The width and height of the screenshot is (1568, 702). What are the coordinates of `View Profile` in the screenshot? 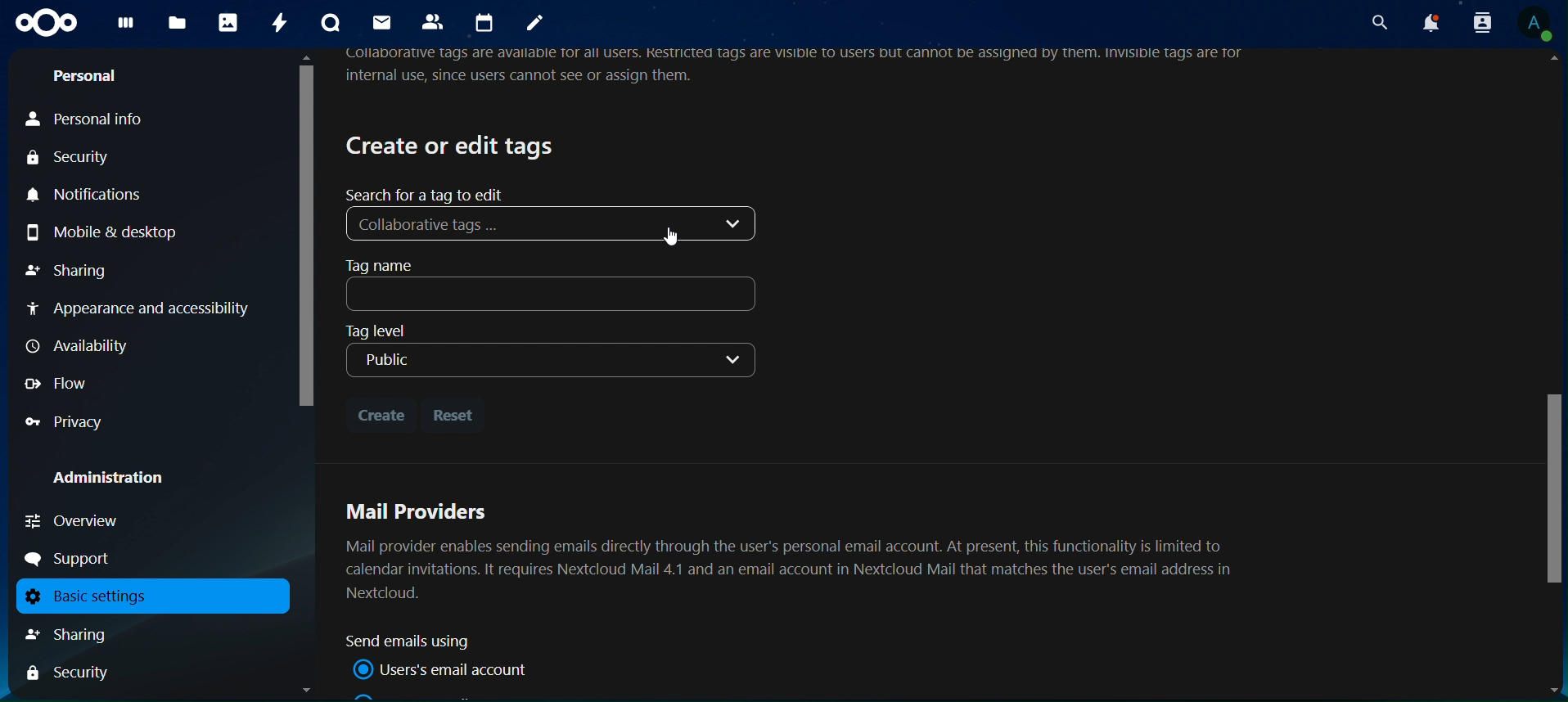 It's located at (1537, 25).